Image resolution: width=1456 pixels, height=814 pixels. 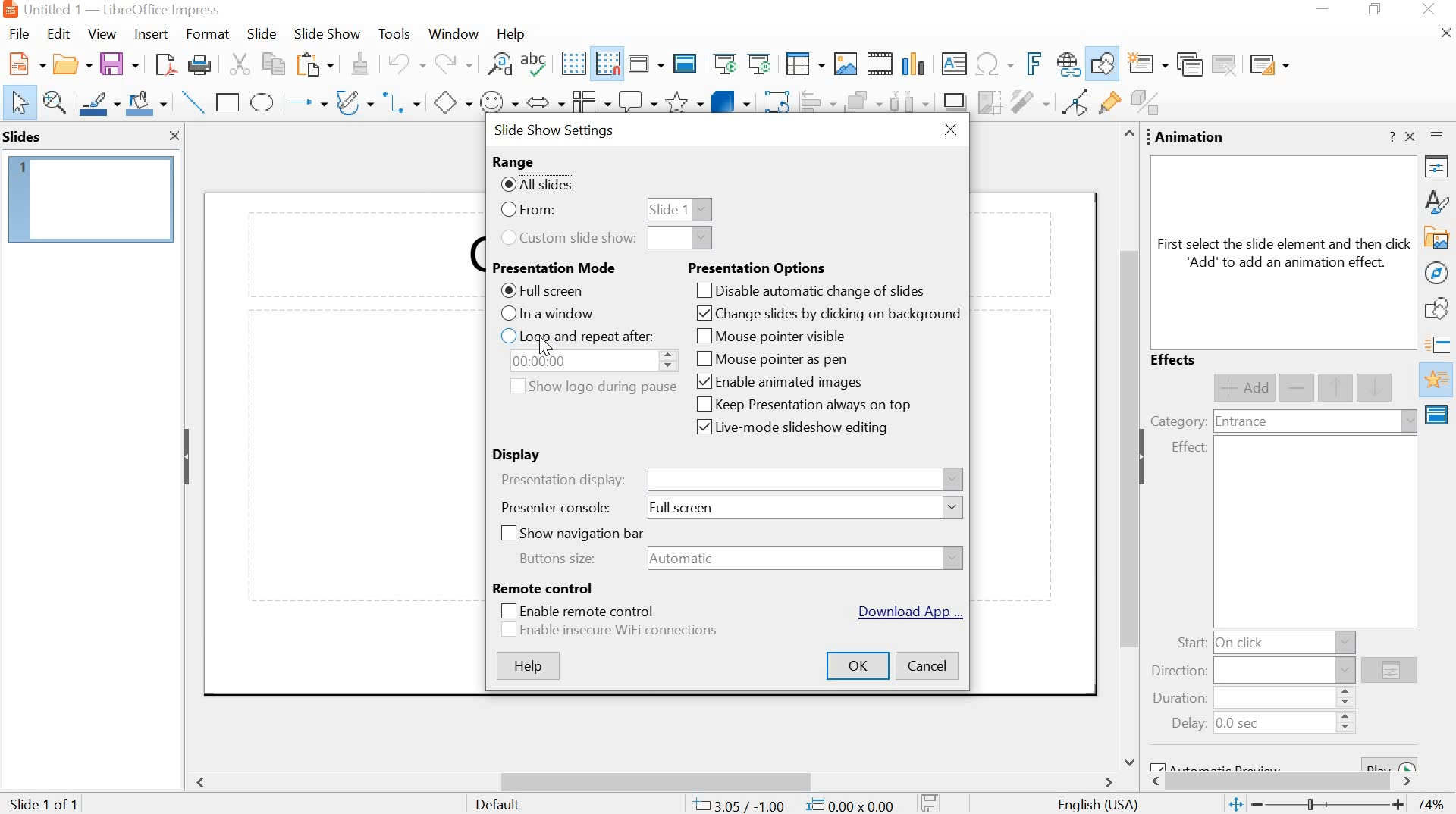 I want to click on fill color, so click(x=149, y=104).